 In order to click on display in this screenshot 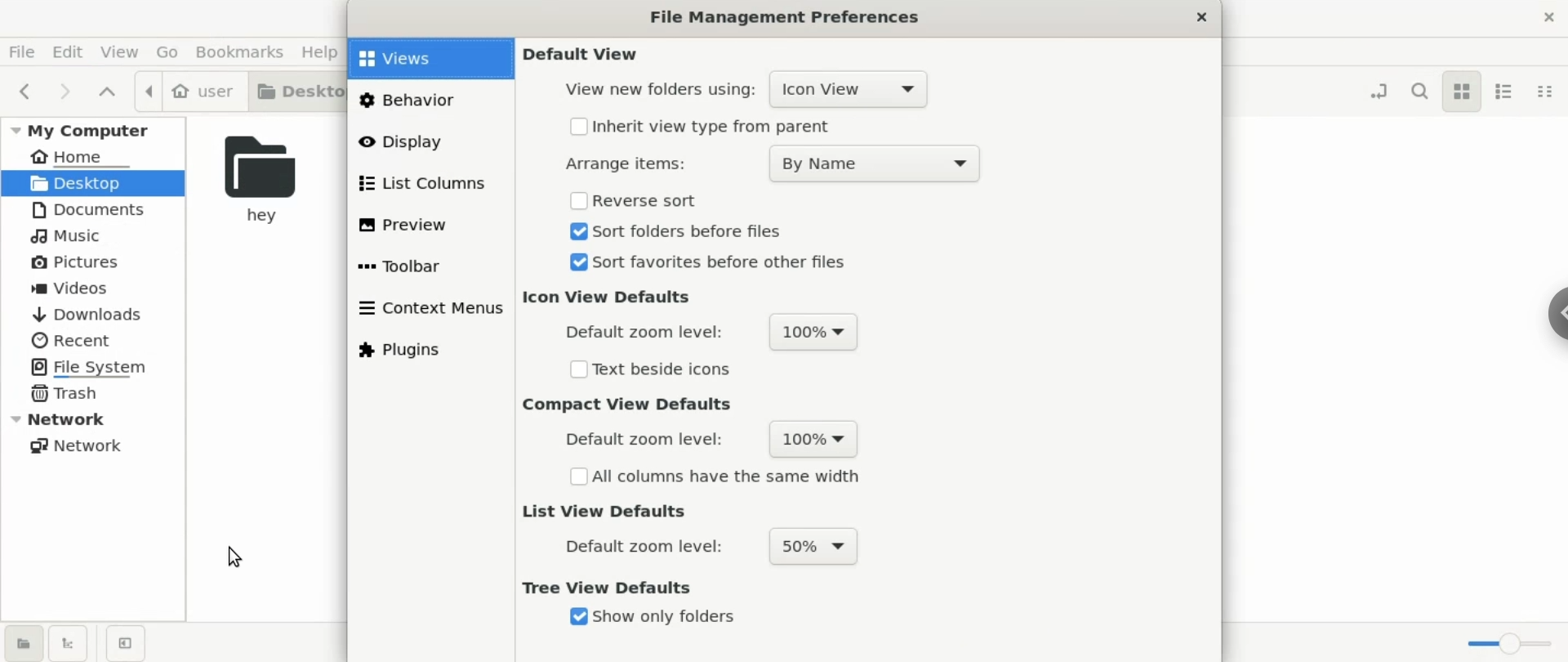, I will do `click(403, 142)`.